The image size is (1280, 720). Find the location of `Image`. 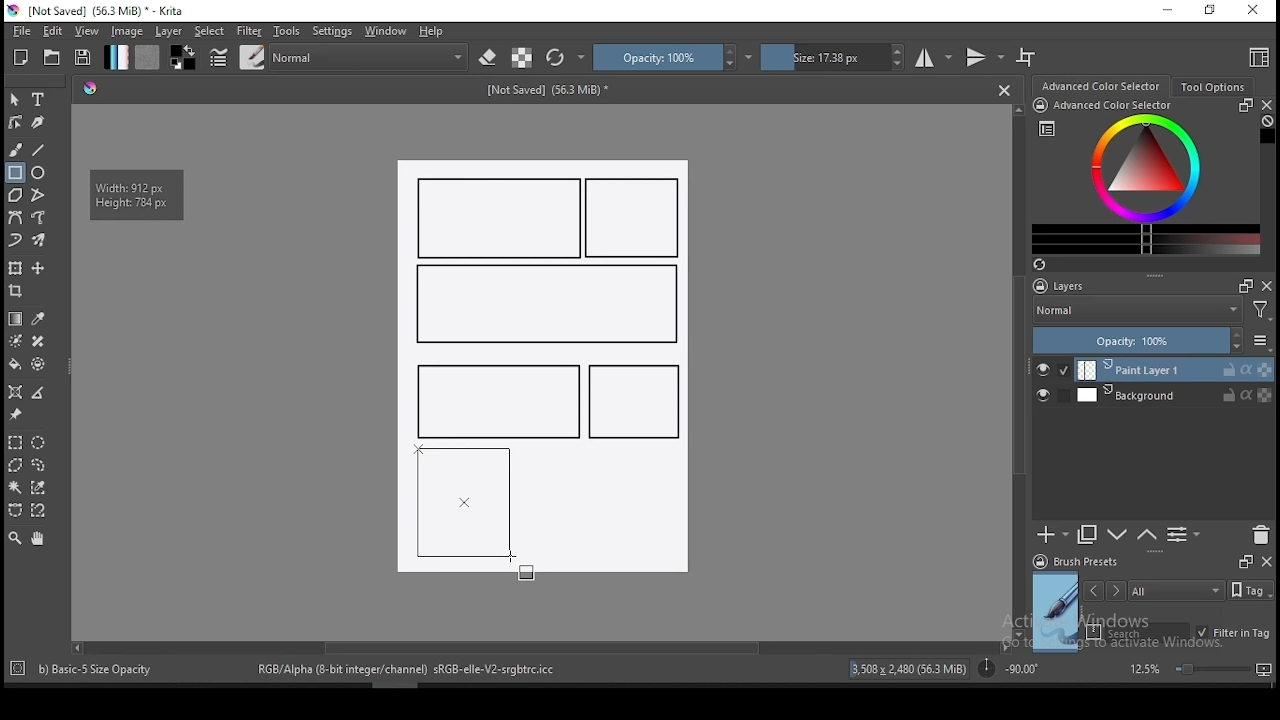

Image is located at coordinates (614, 515).